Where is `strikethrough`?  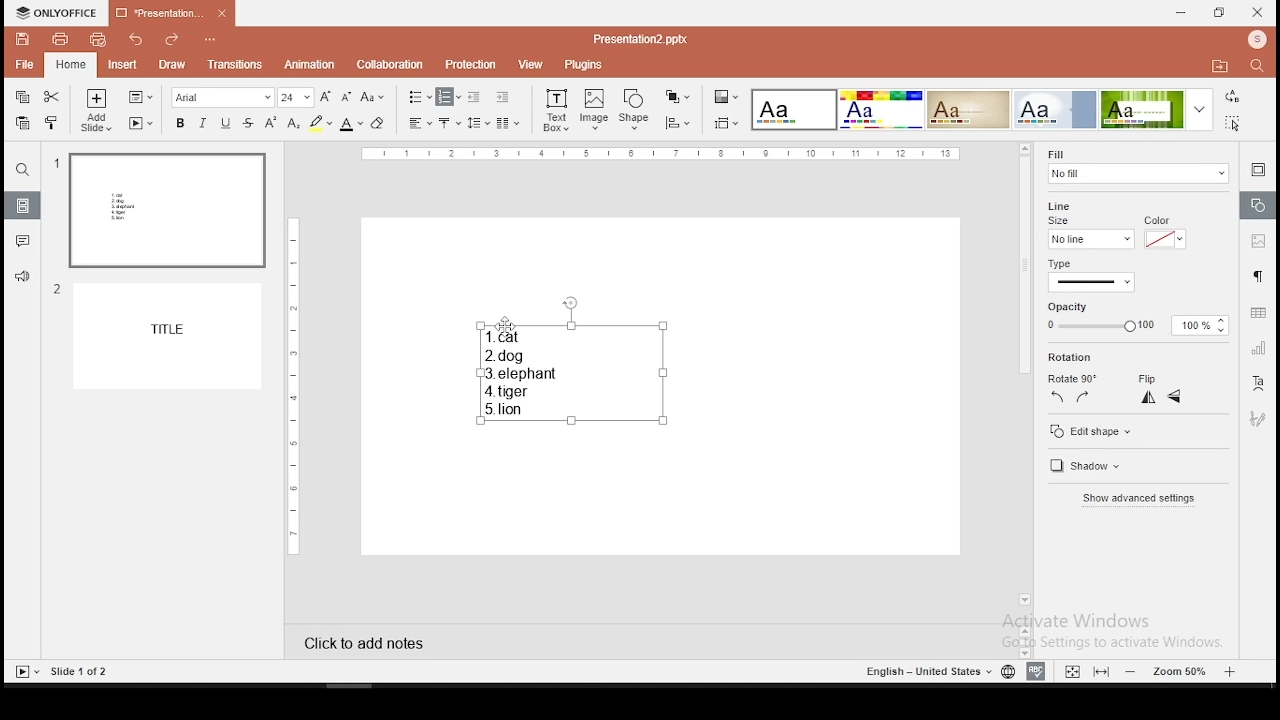 strikethrough is located at coordinates (248, 123).